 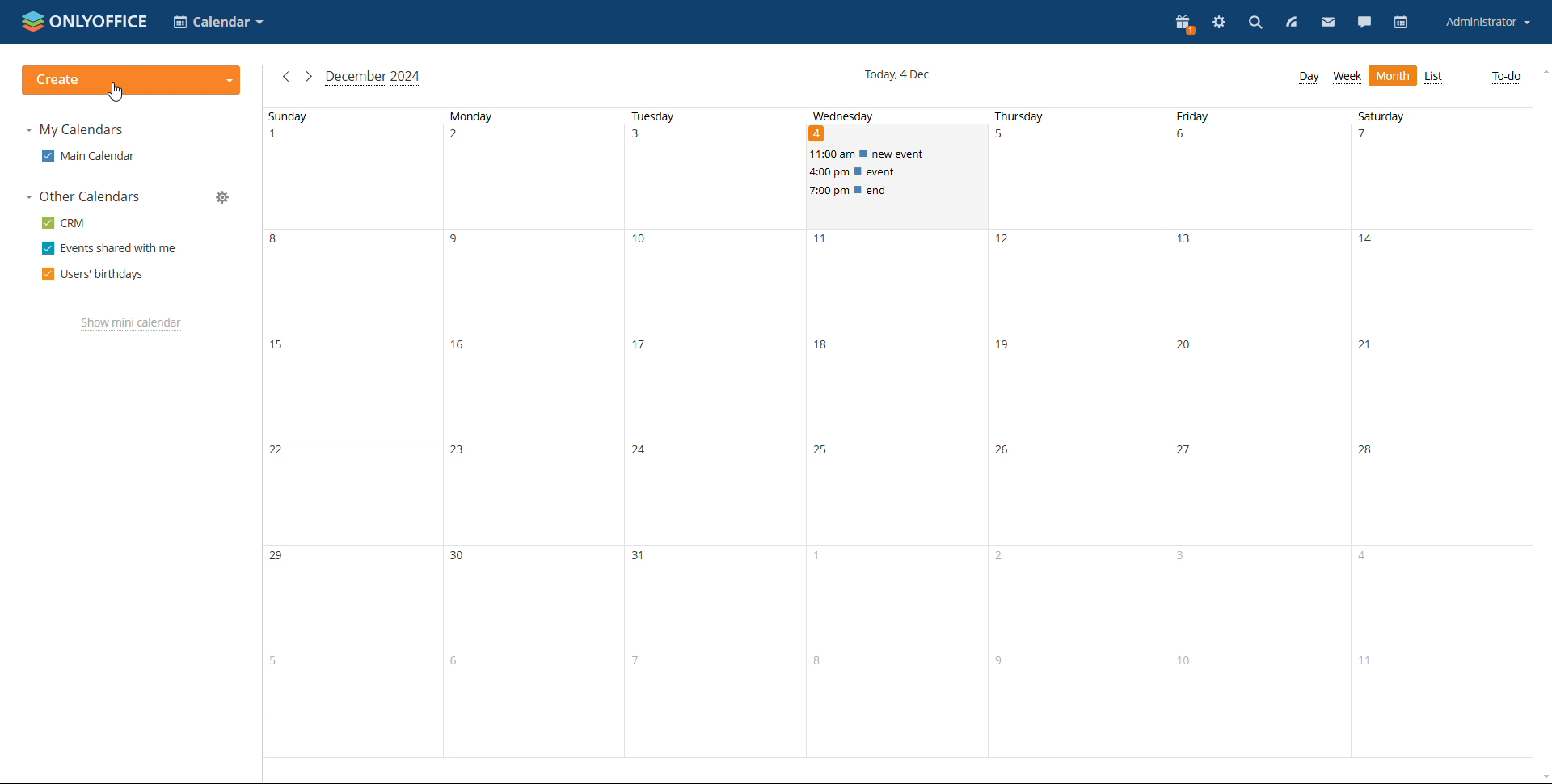 What do you see at coordinates (1081, 434) in the screenshot?
I see `thursday` at bounding box center [1081, 434].